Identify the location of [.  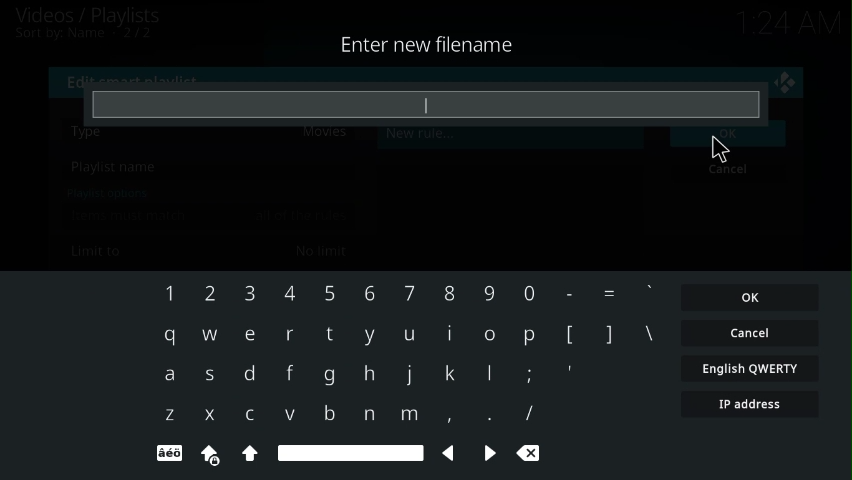
(568, 336).